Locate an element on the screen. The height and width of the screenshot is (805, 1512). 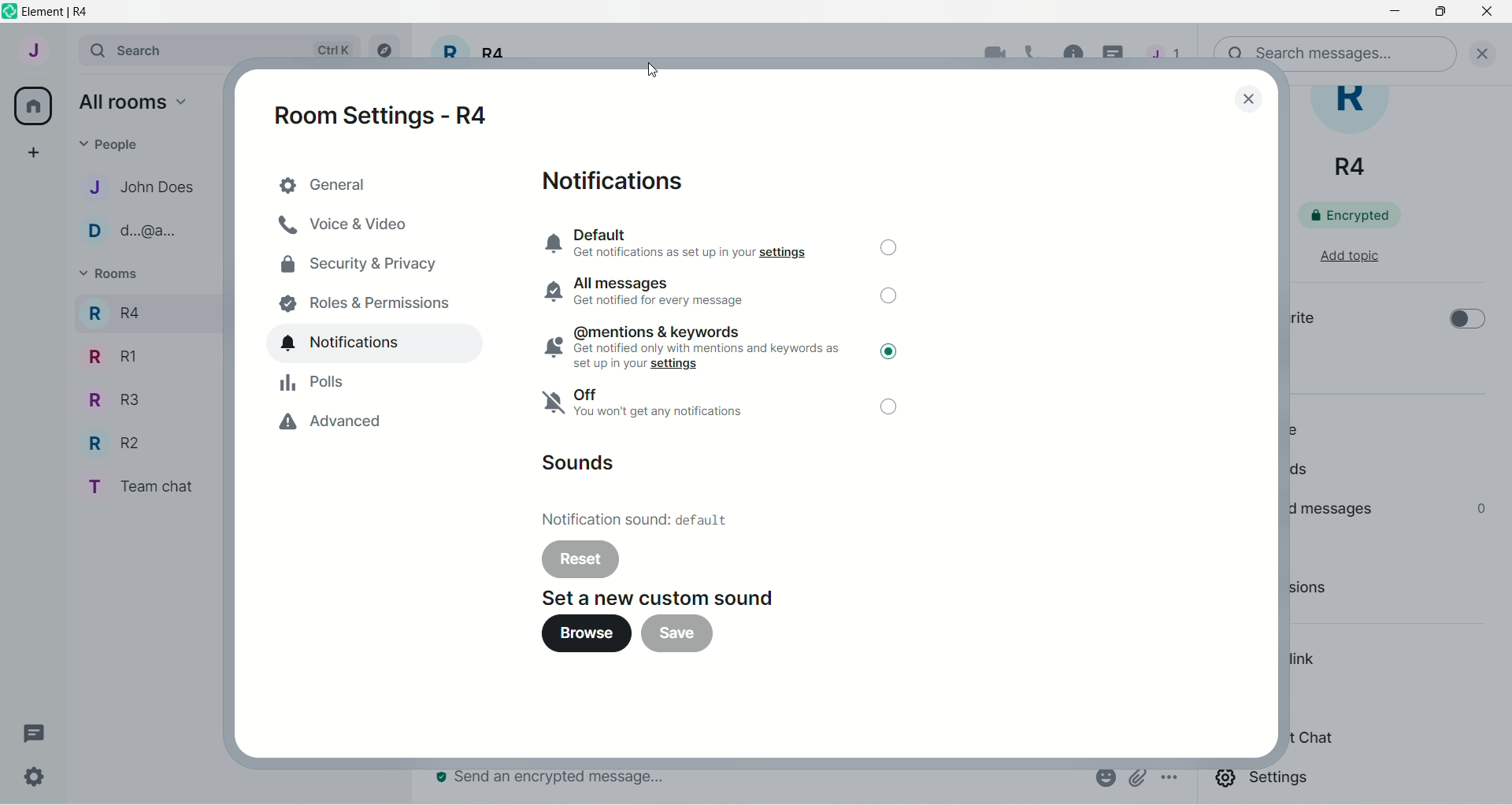
vertical scroll bar is located at coordinates (1503, 445).